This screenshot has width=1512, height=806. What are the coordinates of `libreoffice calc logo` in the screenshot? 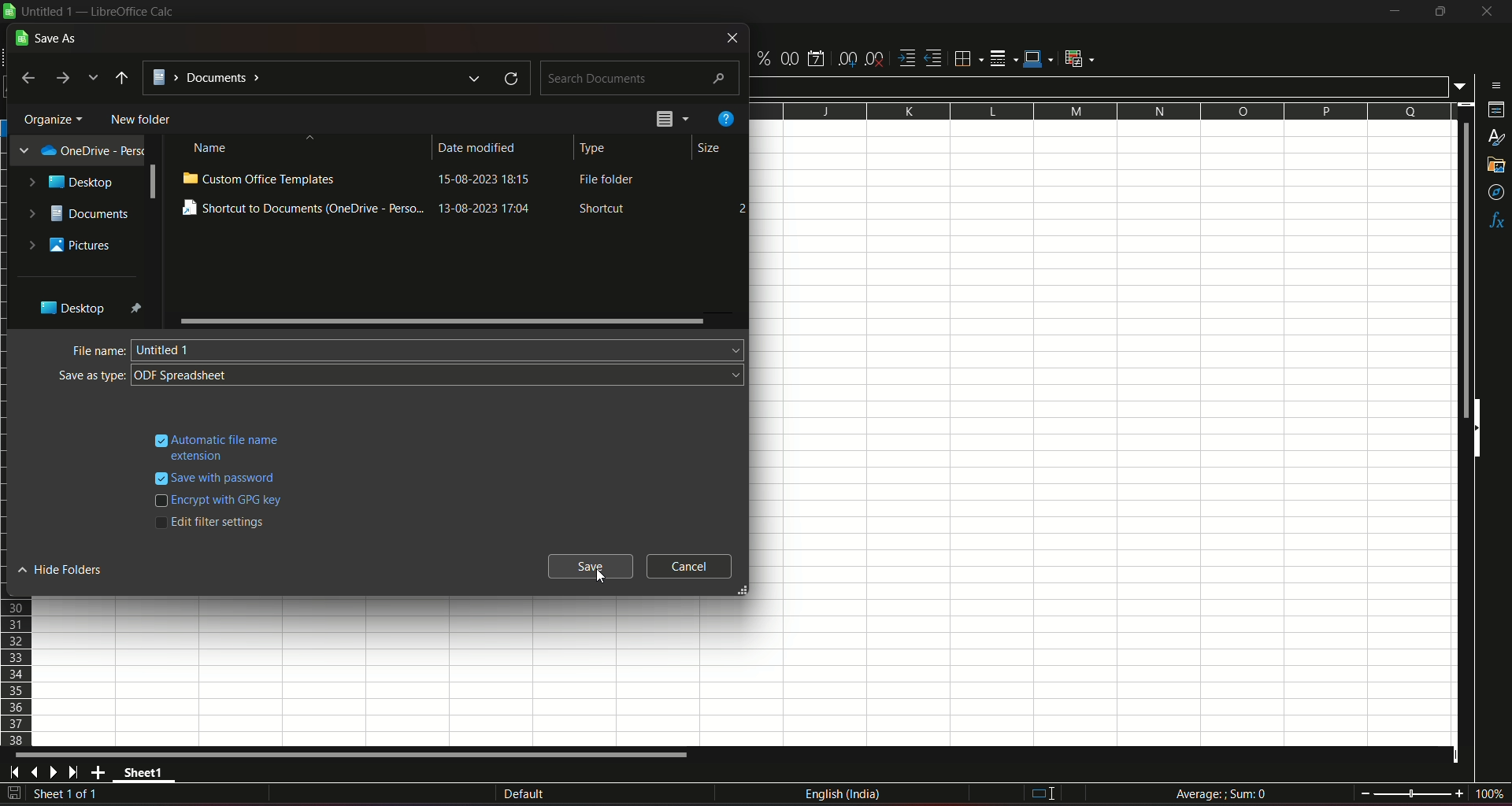 It's located at (9, 12).